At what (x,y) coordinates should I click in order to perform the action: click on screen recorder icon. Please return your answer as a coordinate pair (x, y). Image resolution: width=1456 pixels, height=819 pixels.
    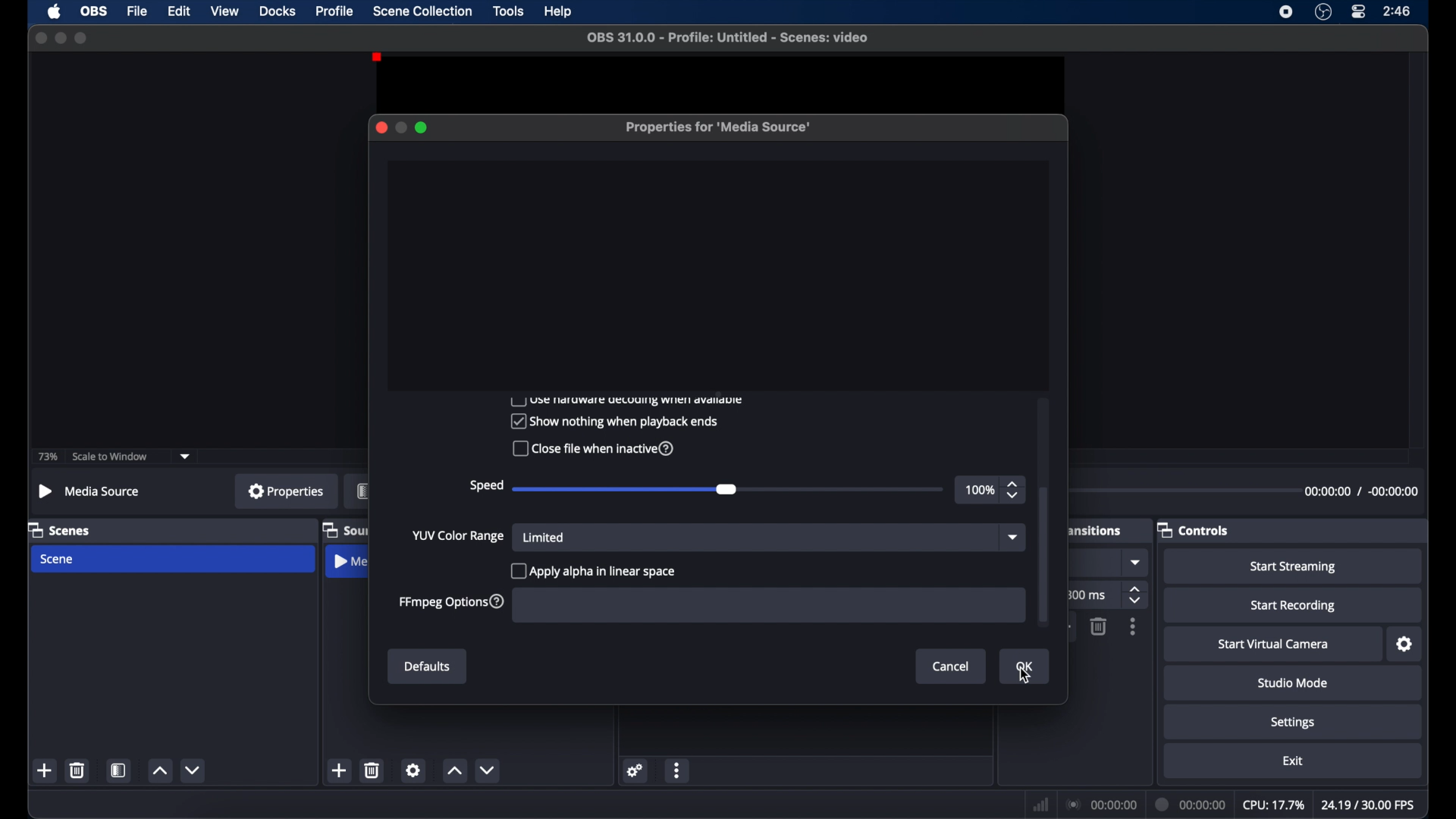
    Looking at the image, I should click on (1286, 11).